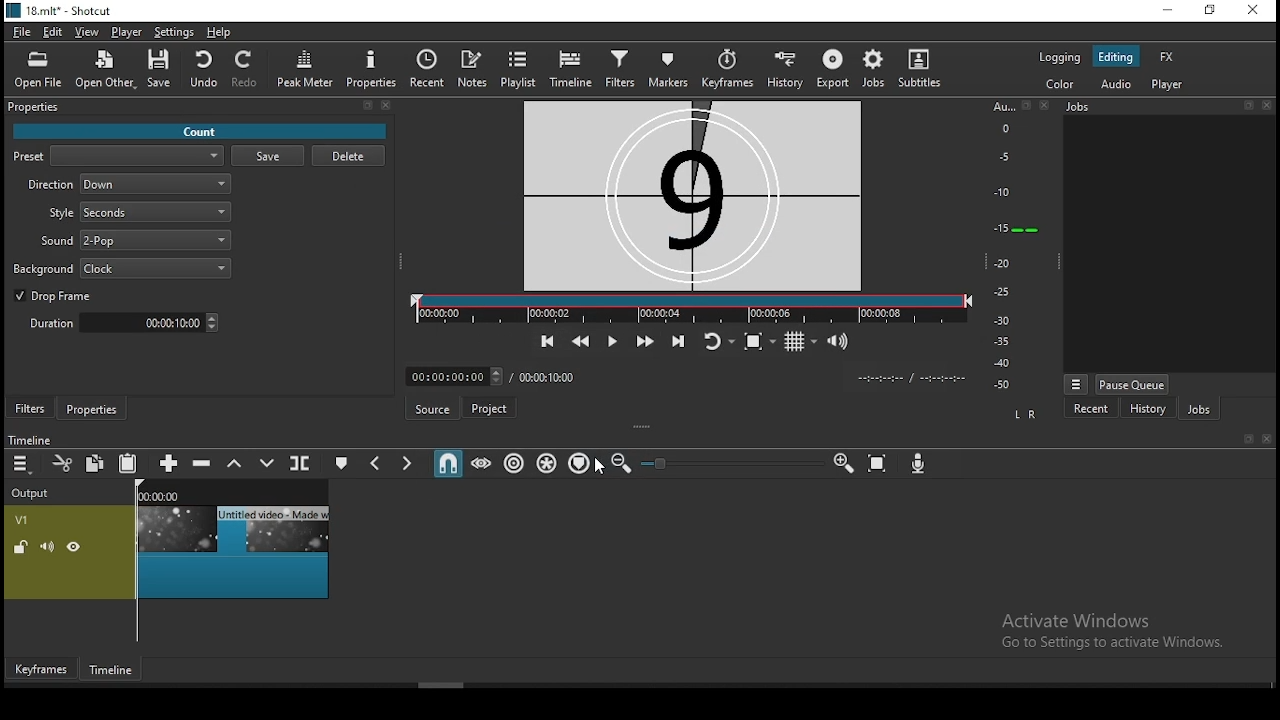 The width and height of the screenshot is (1280, 720). I want to click on audio, so click(1121, 85).